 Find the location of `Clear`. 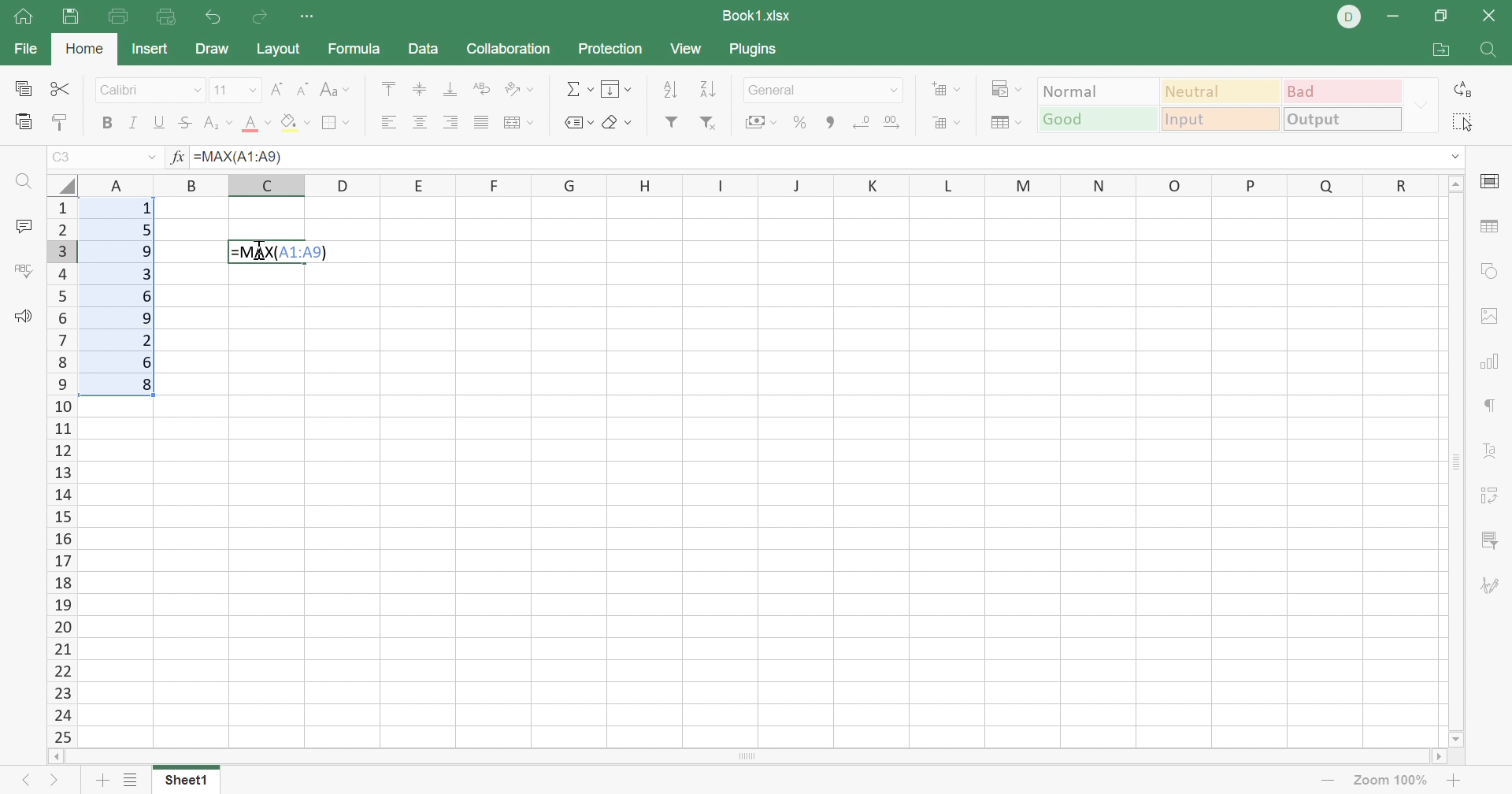

Clear is located at coordinates (617, 122).